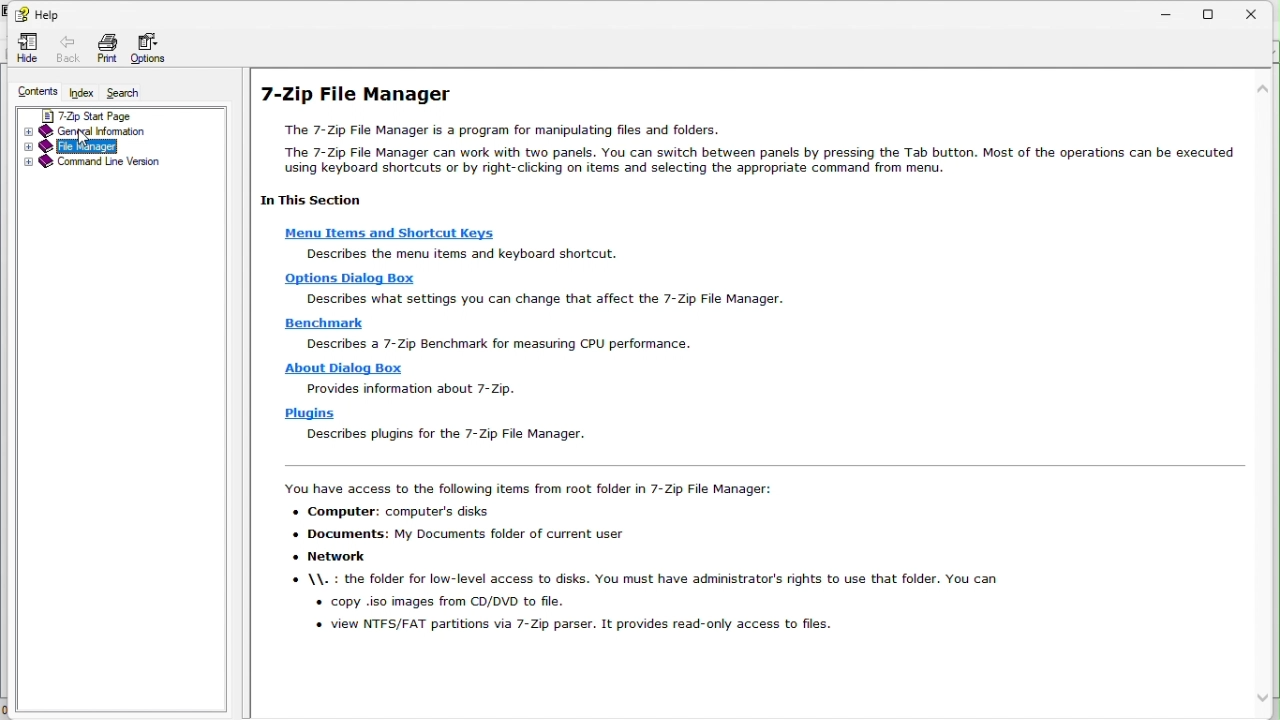 The width and height of the screenshot is (1280, 720). I want to click on Command line version, so click(117, 163).